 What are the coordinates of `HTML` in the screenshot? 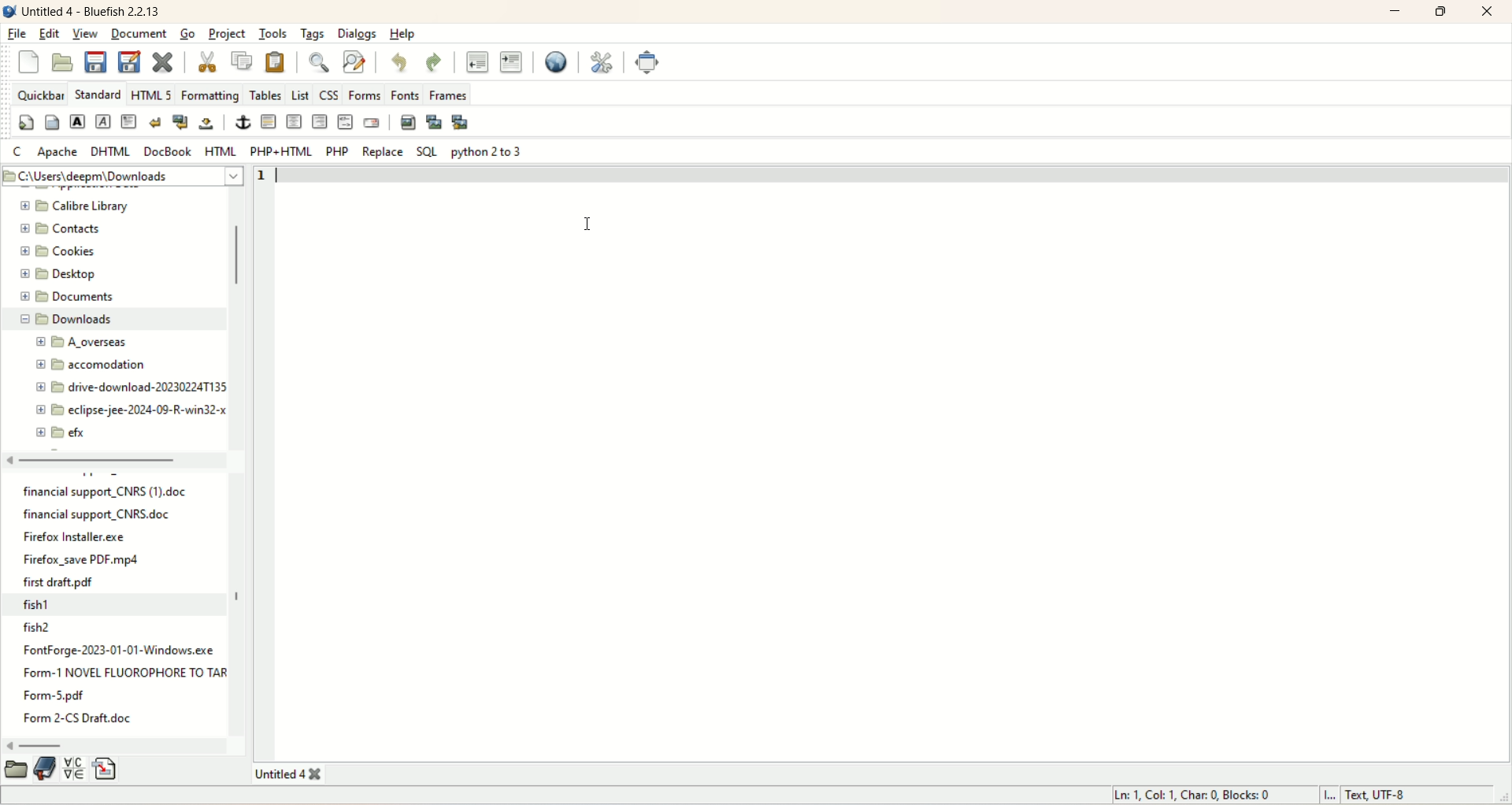 It's located at (220, 150).